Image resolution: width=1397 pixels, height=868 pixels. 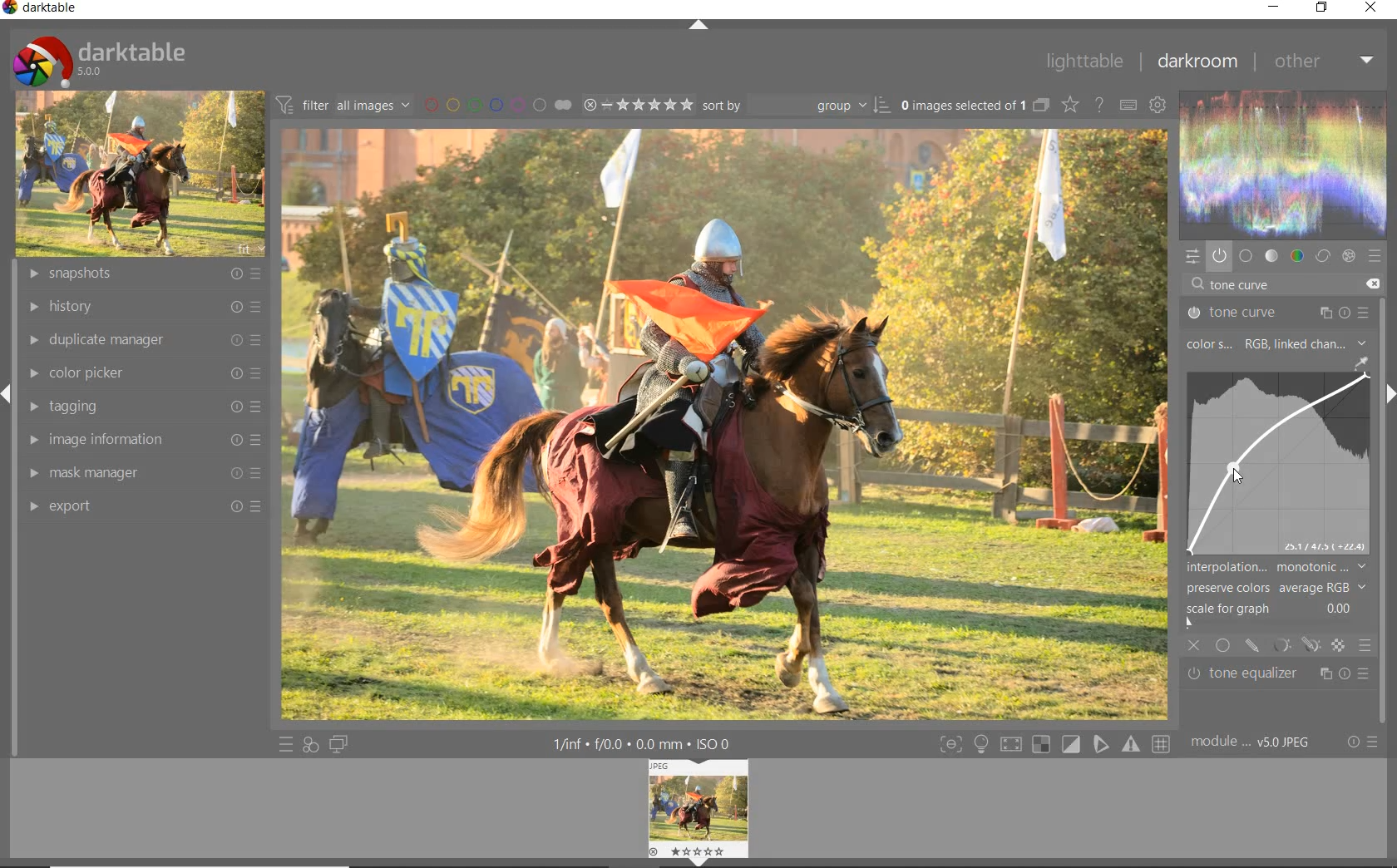 What do you see at coordinates (1275, 345) in the screenshot?
I see `color space` at bounding box center [1275, 345].